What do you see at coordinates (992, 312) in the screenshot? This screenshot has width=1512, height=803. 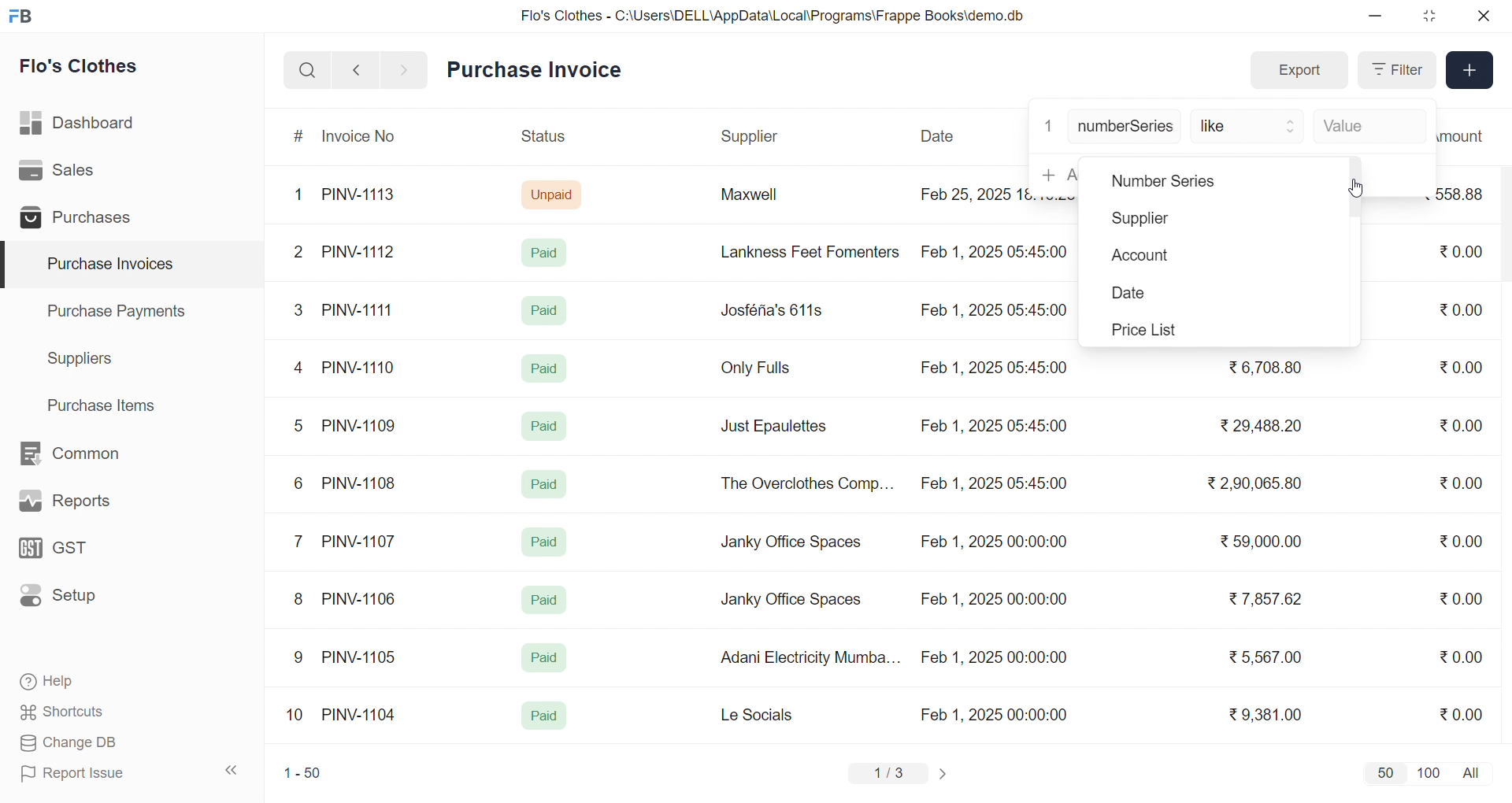 I see `Feb 1, 2025 05:45:00` at bounding box center [992, 312].